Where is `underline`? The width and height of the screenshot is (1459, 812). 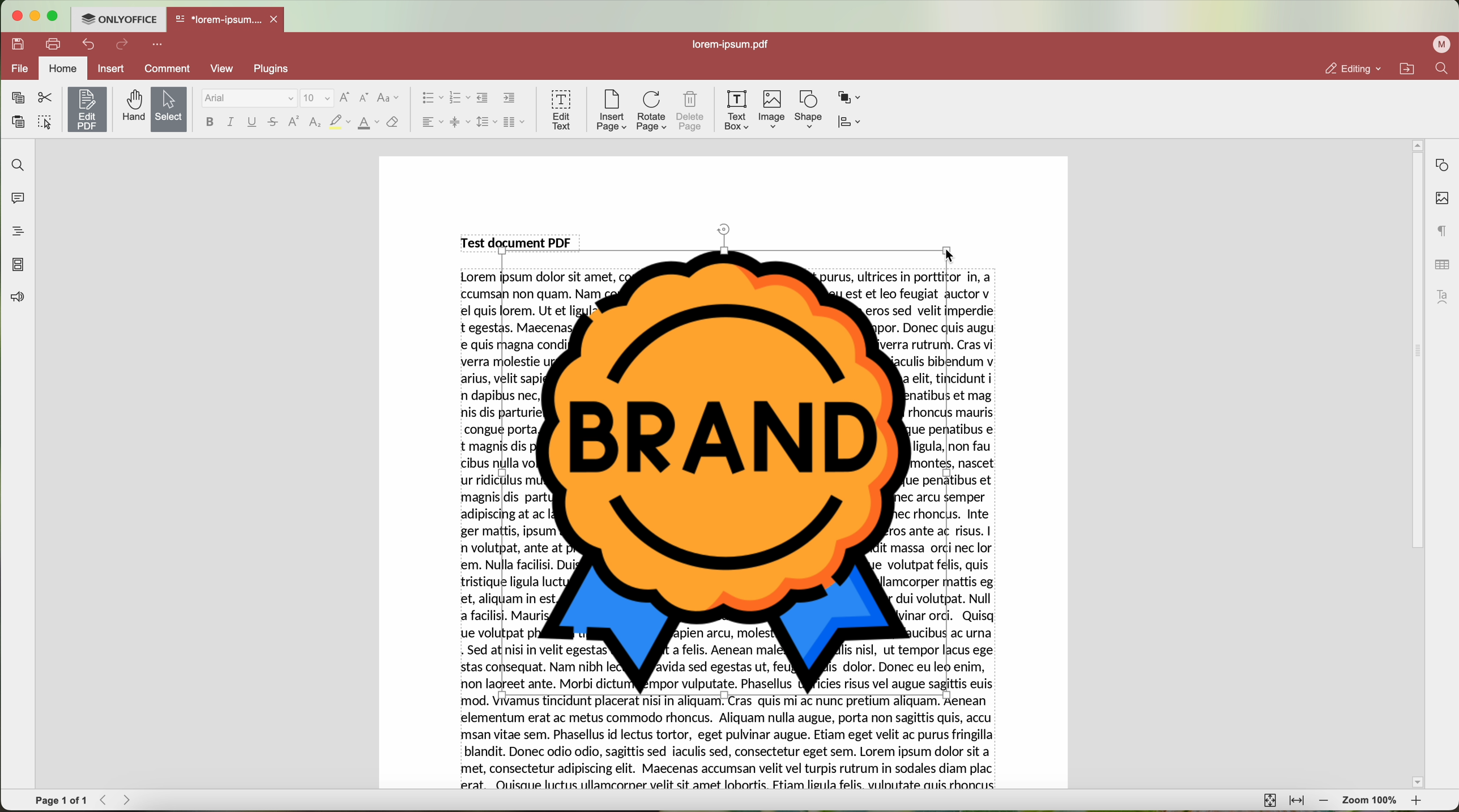
underline is located at coordinates (253, 124).